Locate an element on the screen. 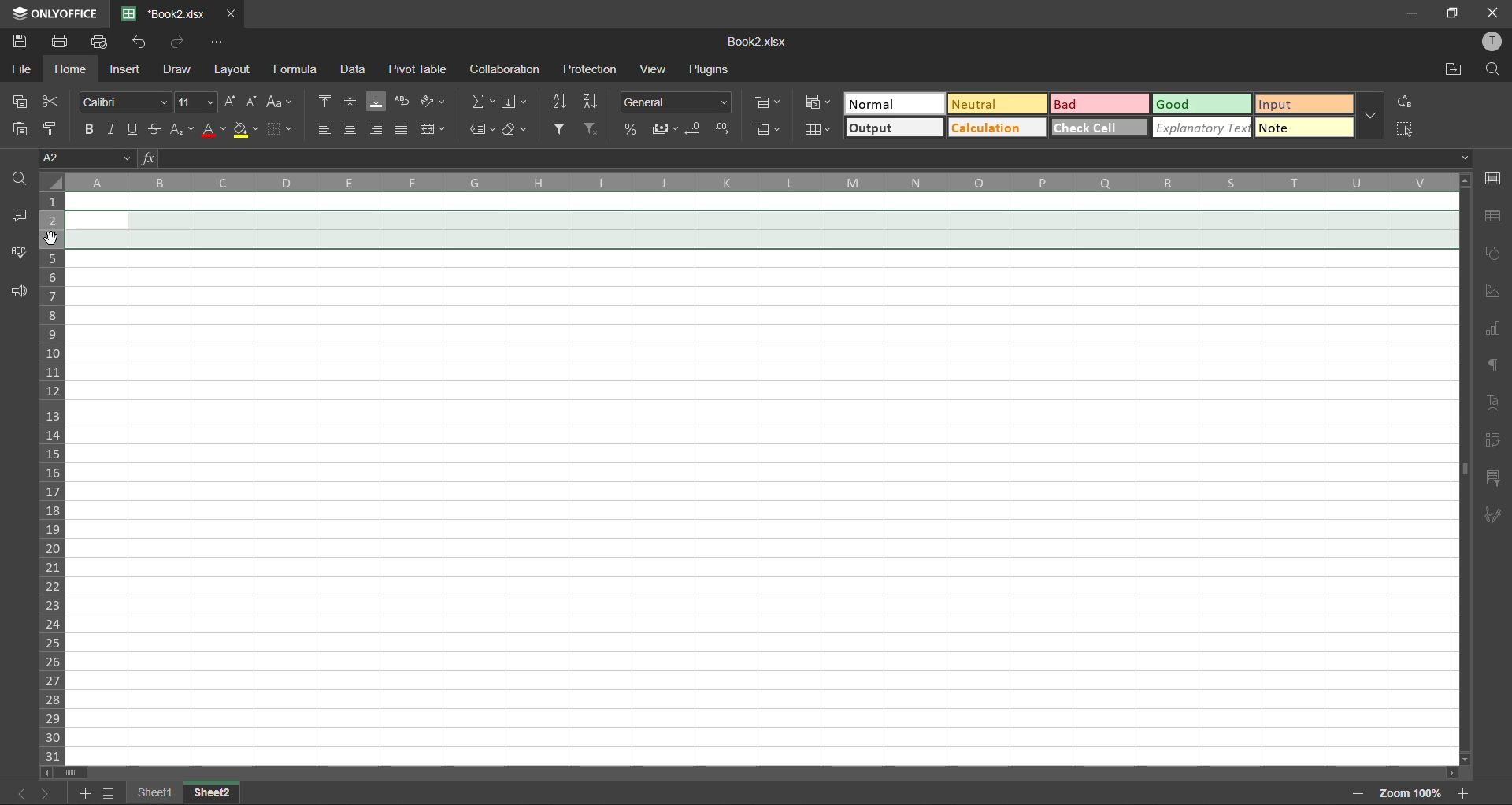 The width and height of the screenshot is (1512, 805). maximize is located at coordinates (1453, 14).